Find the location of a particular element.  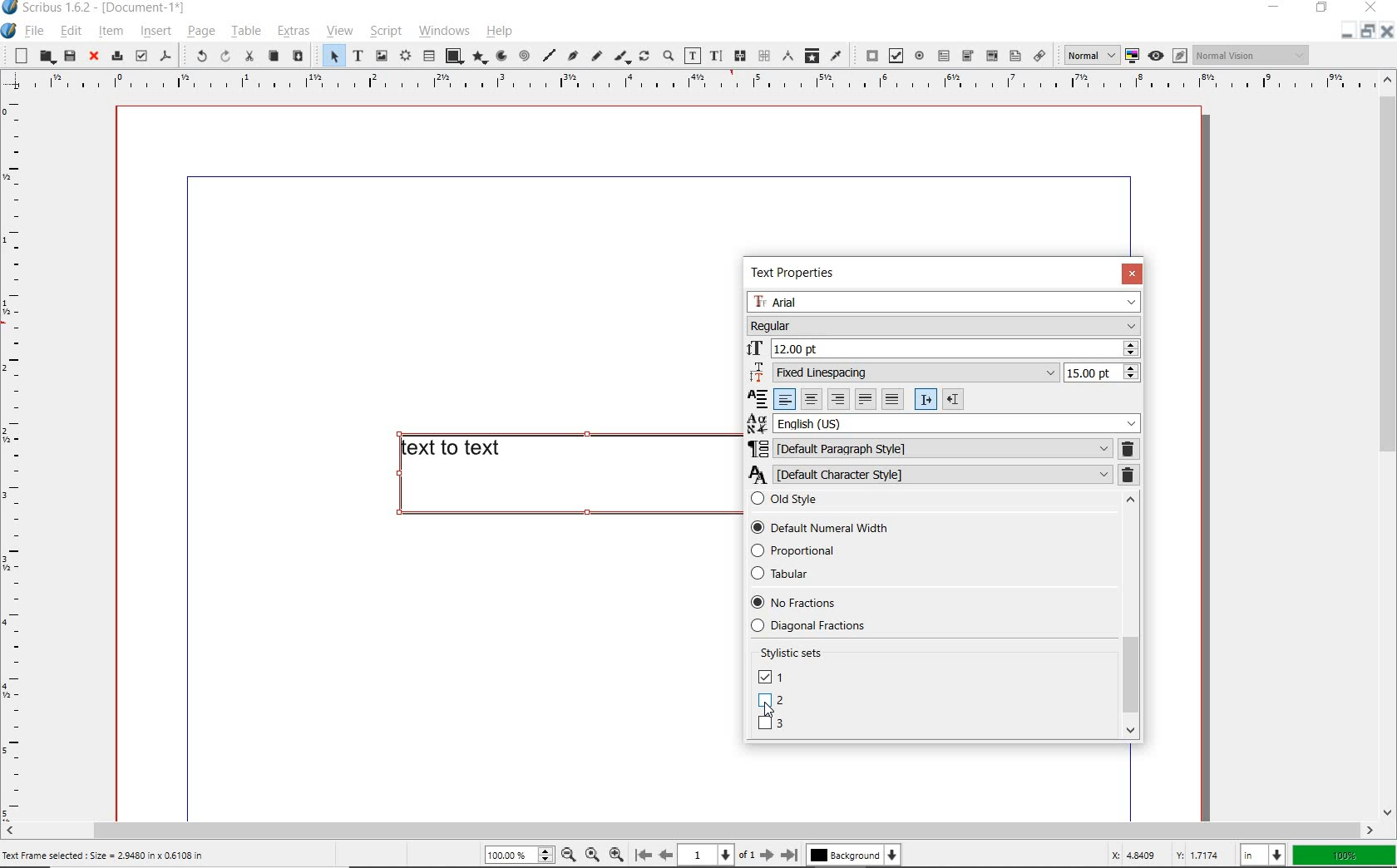

open is located at coordinates (46, 57).